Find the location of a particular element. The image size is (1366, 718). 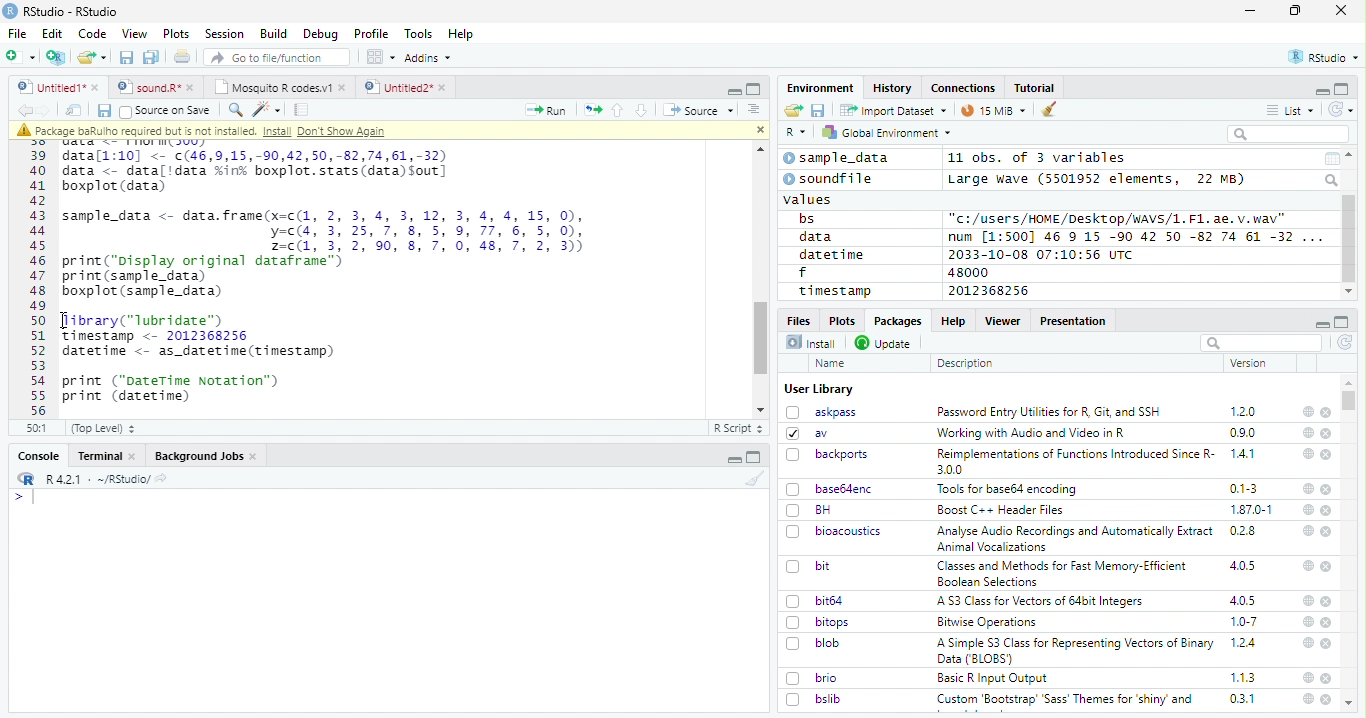

help is located at coordinates (1307, 411).